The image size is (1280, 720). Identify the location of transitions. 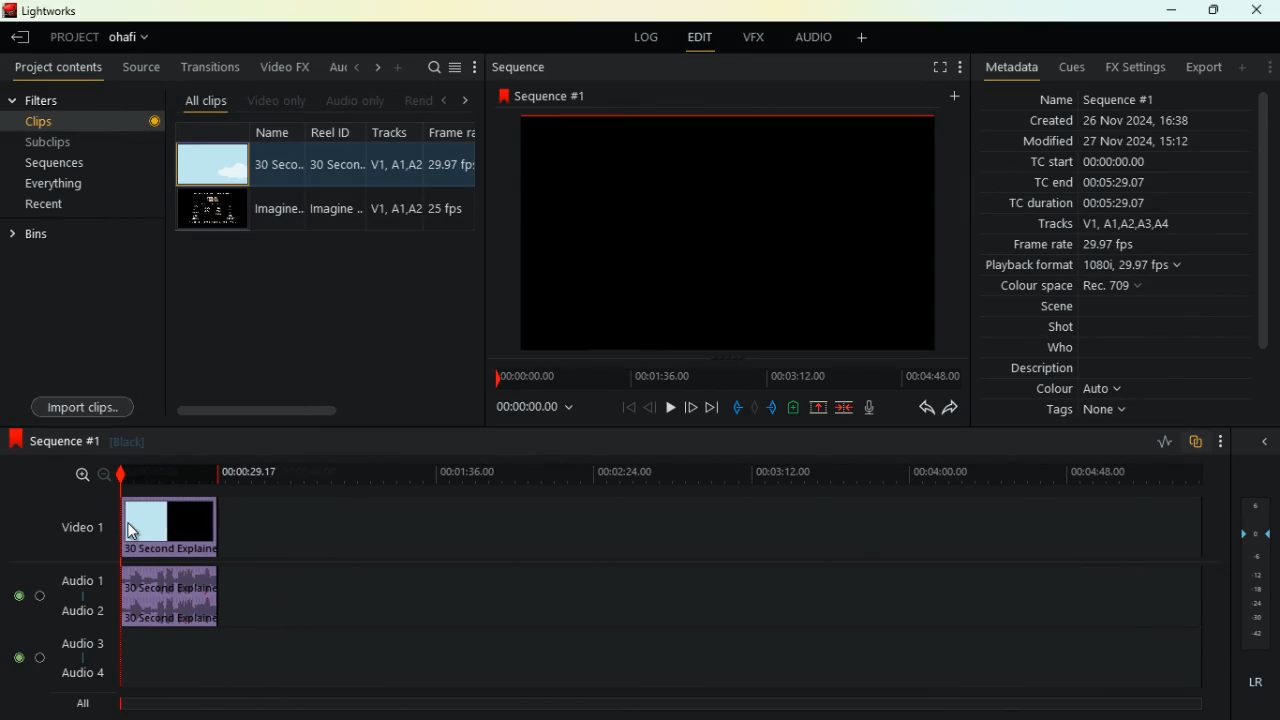
(211, 67).